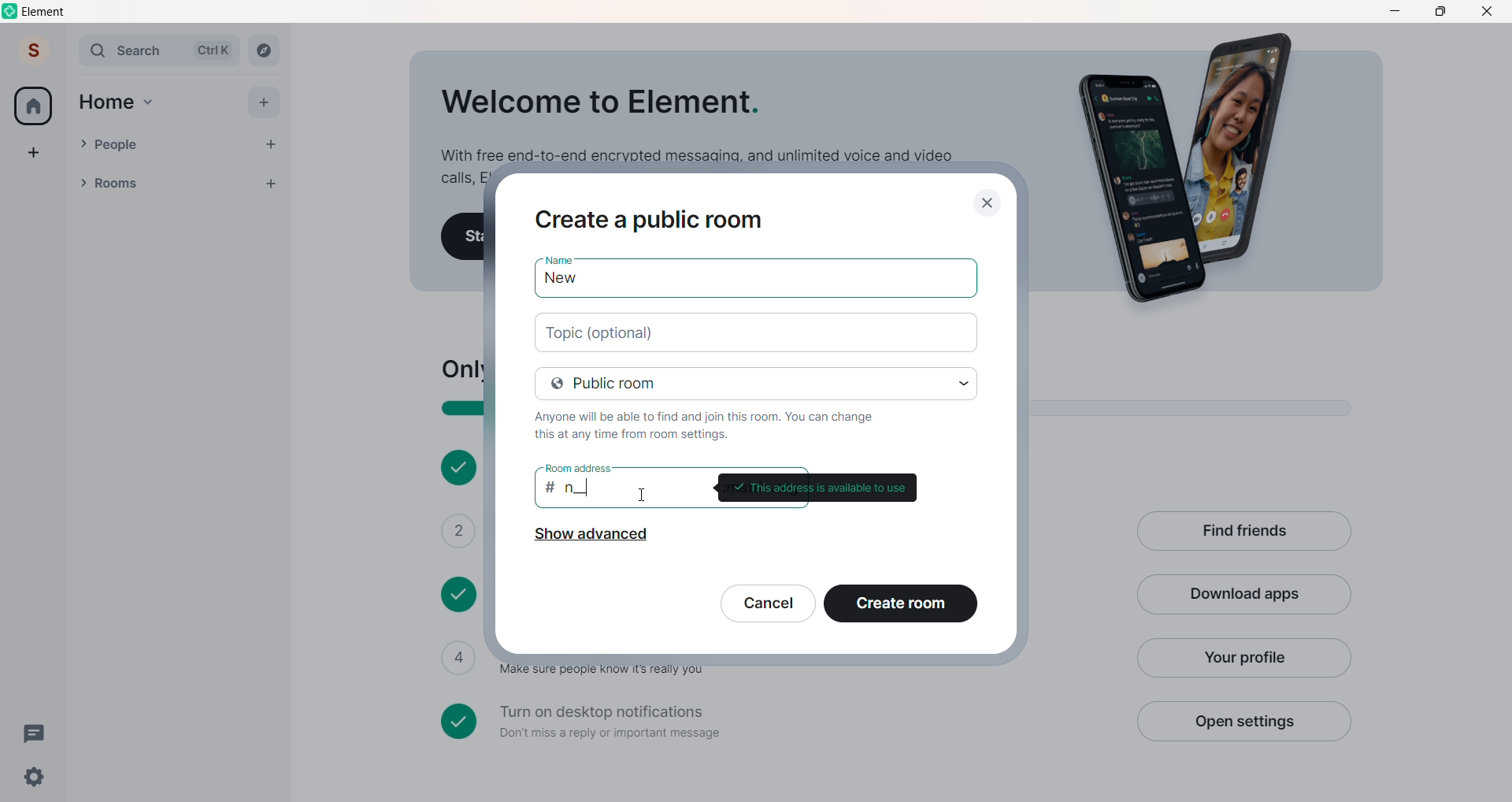 The height and width of the screenshot is (802, 1512). What do you see at coordinates (34, 50) in the screenshot?
I see `Account` at bounding box center [34, 50].